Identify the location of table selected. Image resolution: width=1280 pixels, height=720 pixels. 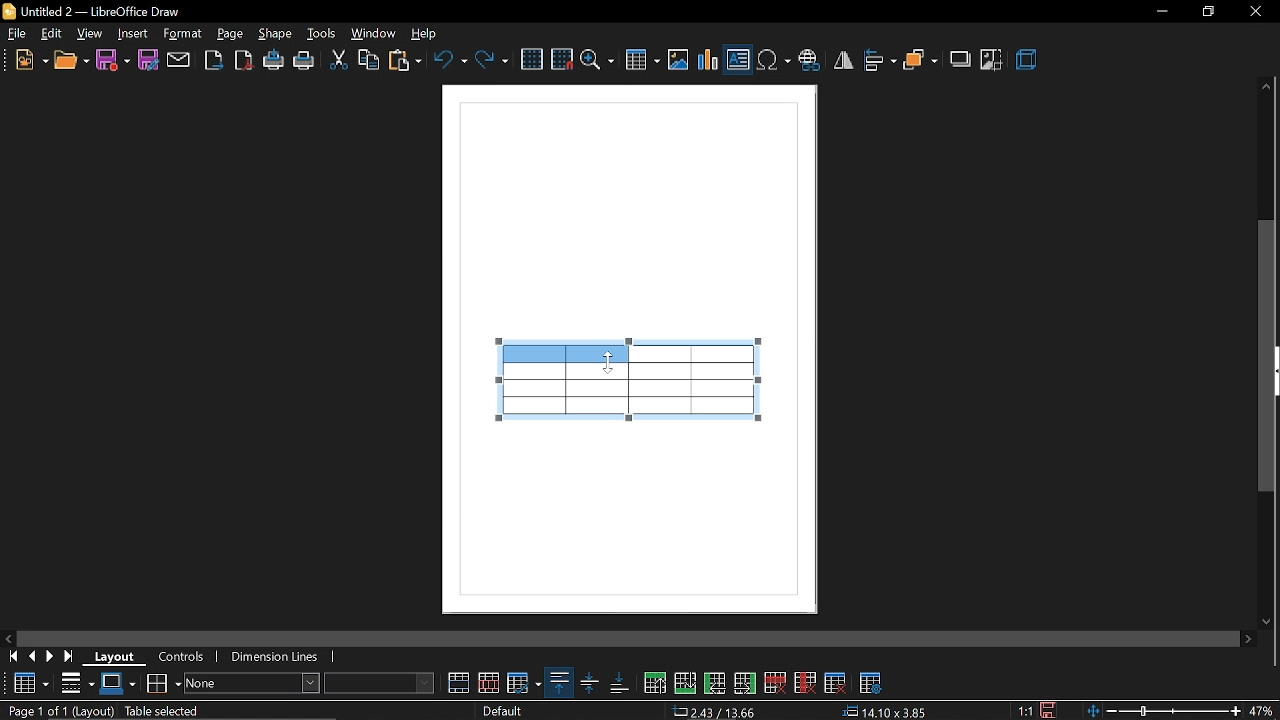
(170, 710).